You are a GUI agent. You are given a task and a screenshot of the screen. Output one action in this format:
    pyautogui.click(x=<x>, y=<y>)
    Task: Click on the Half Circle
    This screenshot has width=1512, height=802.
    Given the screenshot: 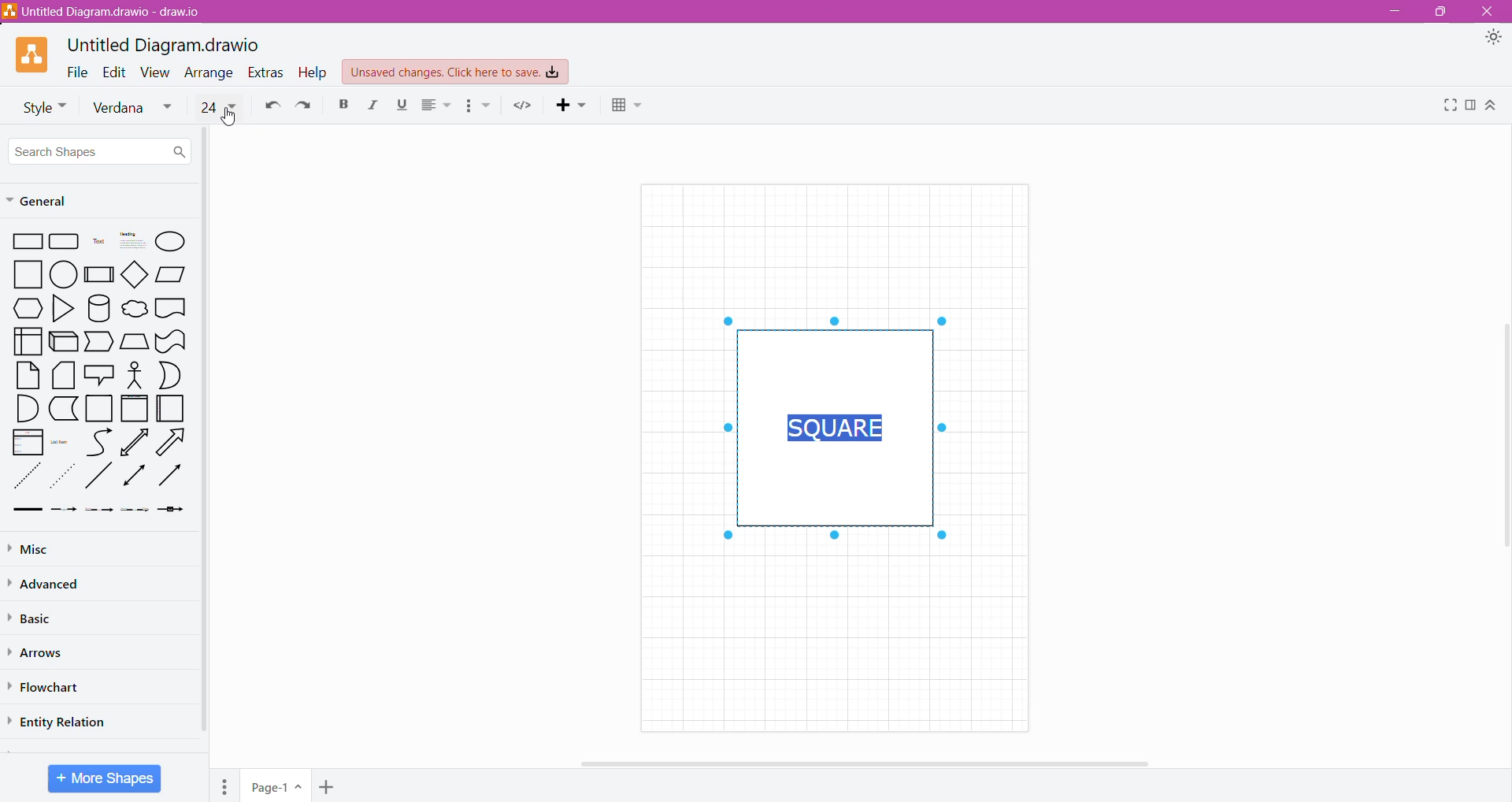 What is the action you would take?
    pyautogui.click(x=170, y=375)
    